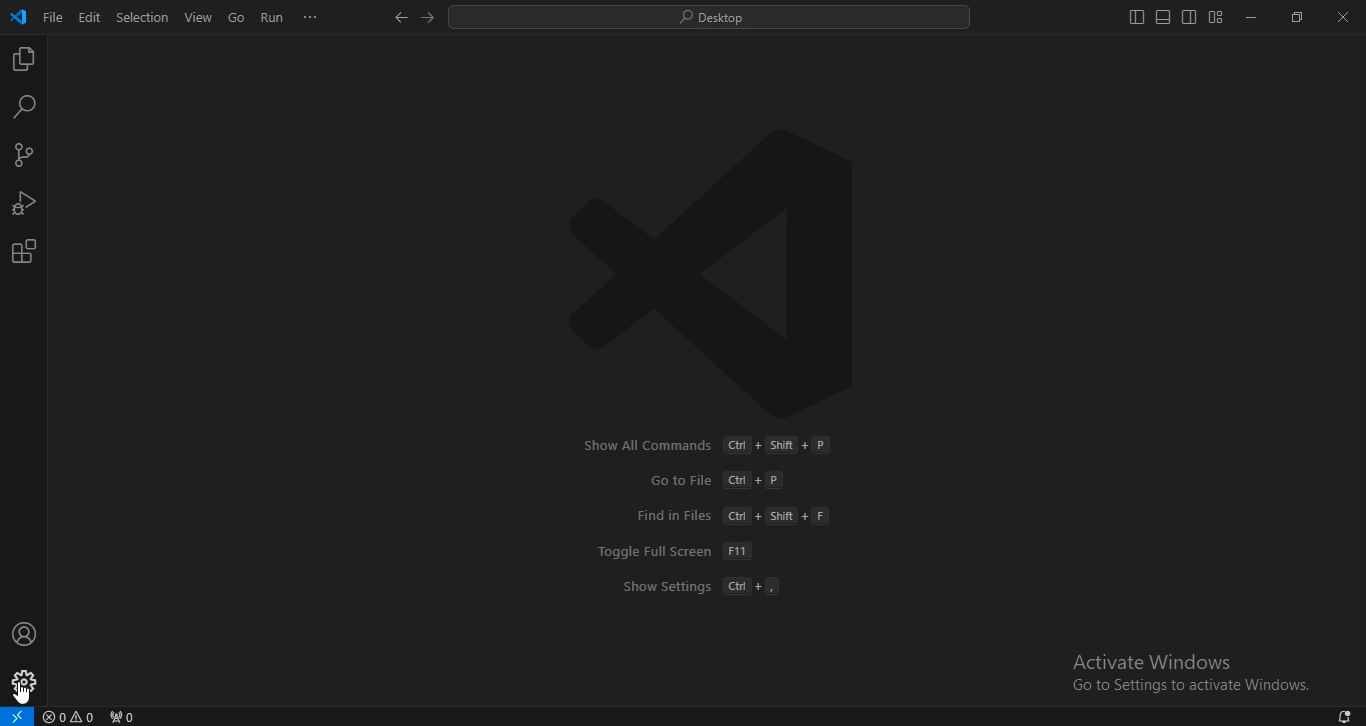  I want to click on Show All Commands Cu + Shift + P
GotoFile ‘Cu +P
Find in Files Ct + Shit + F
Toggle Full Screen [FIT
Show Settings Cul +,, so click(701, 518).